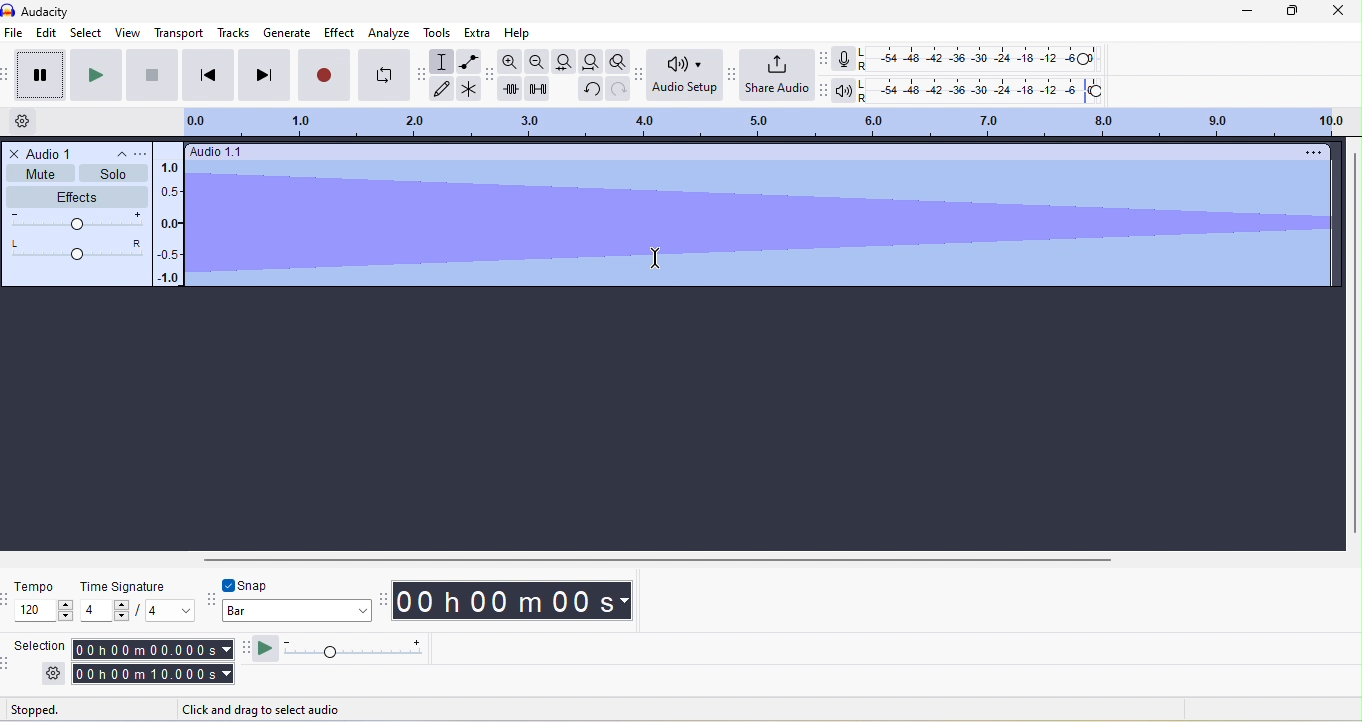 The width and height of the screenshot is (1362, 722). I want to click on draw tool, so click(442, 89).